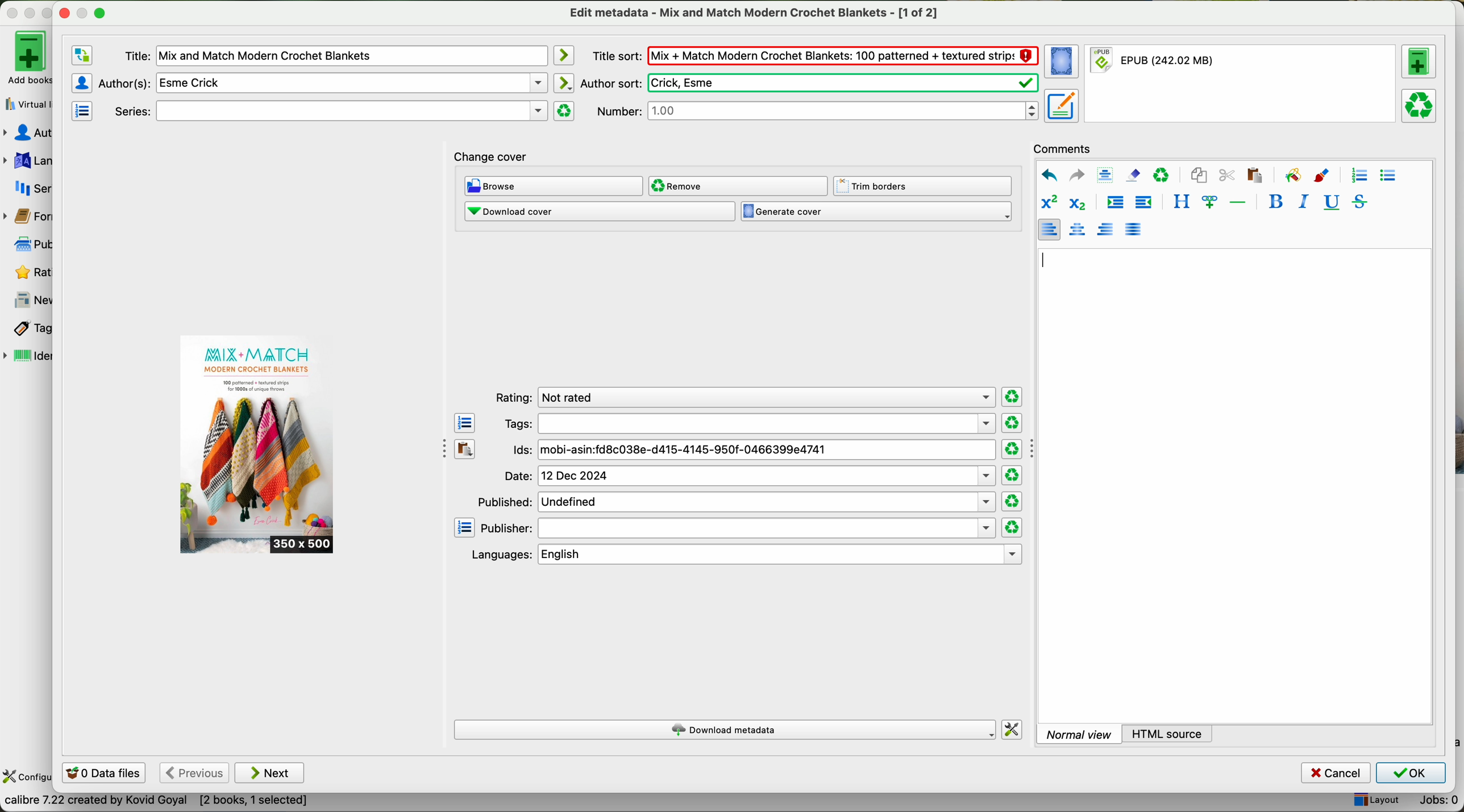 The width and height of the screenshot is (1464, 812). What do you see at coordinates (1301, 201) in the screenshot?
I see `italic` at bounding box center [1301, 201].